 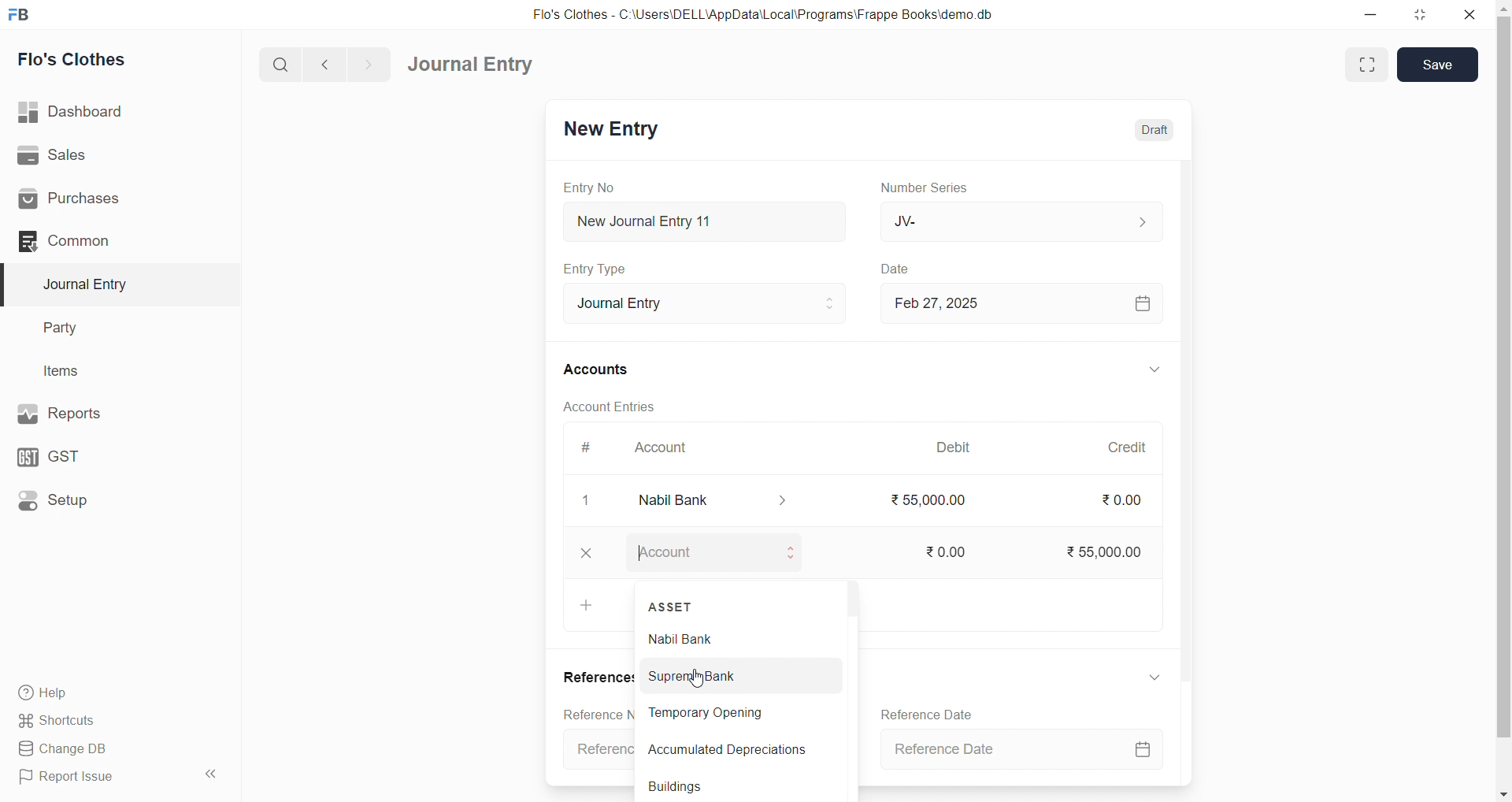 I want to click on Reference Date, so click(x=931, y=713).